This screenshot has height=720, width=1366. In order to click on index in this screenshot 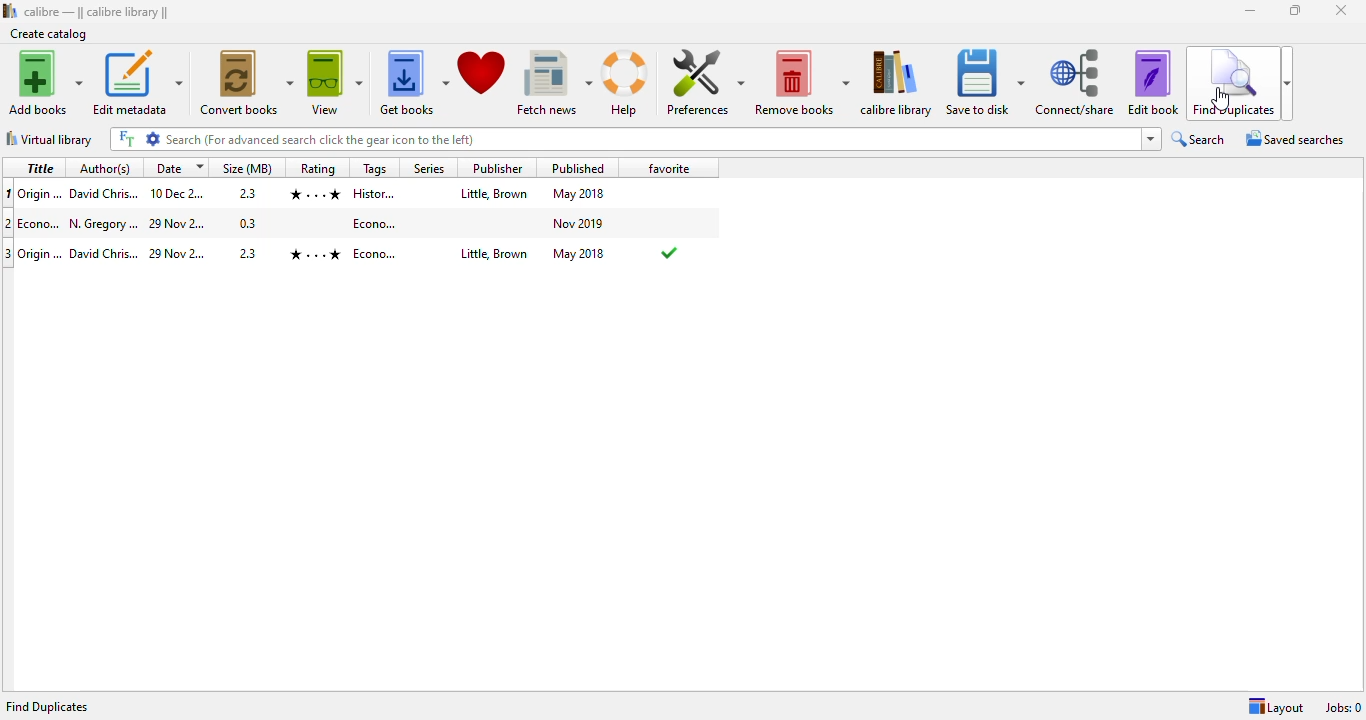, I will do `click(9, 221)`.